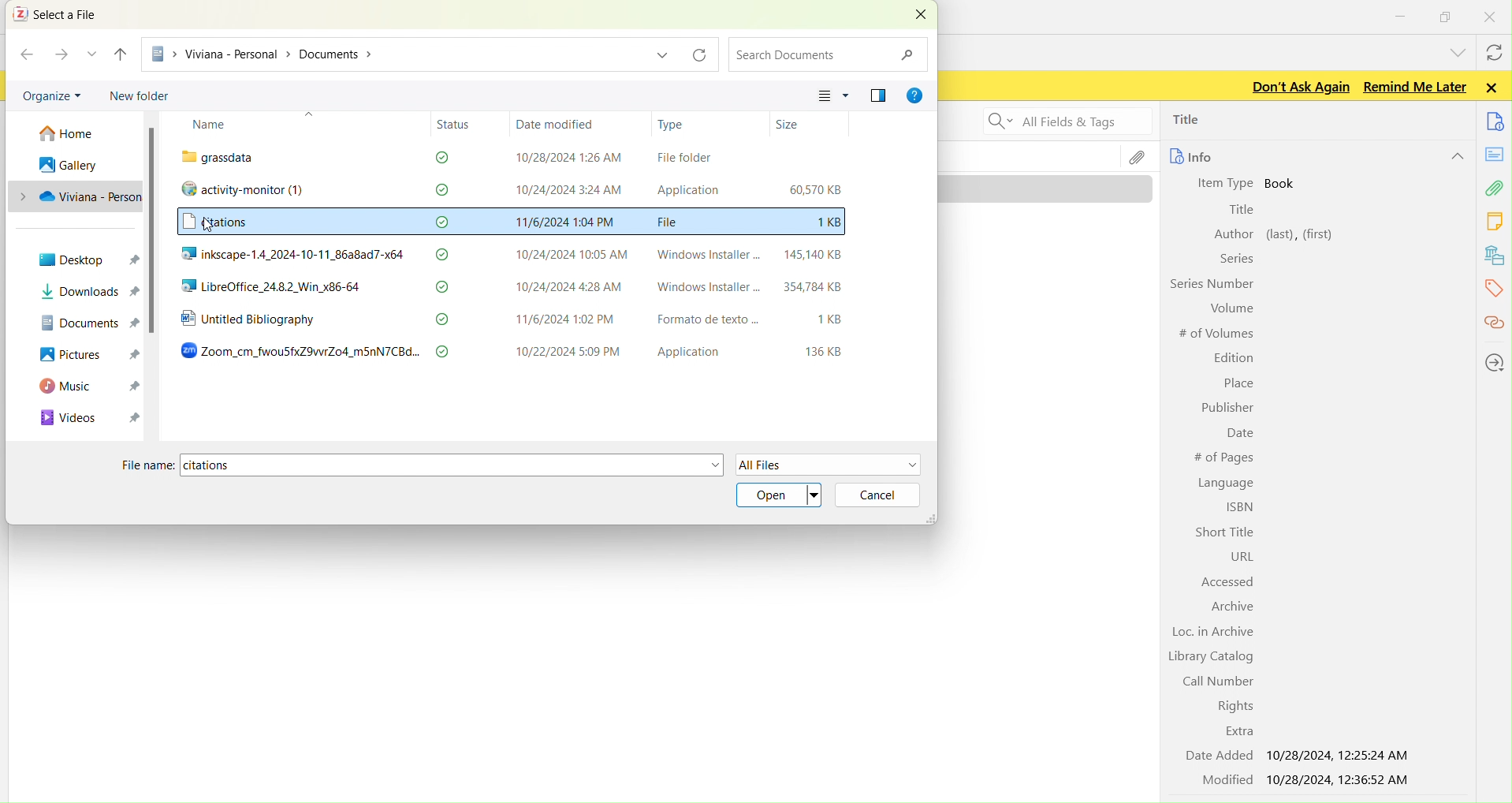 The width and height of the screenshot is (1512, 803). Describe the element at coordinates (1063, 121) in the screenshot. I see `Search all fields and tags` at that location.